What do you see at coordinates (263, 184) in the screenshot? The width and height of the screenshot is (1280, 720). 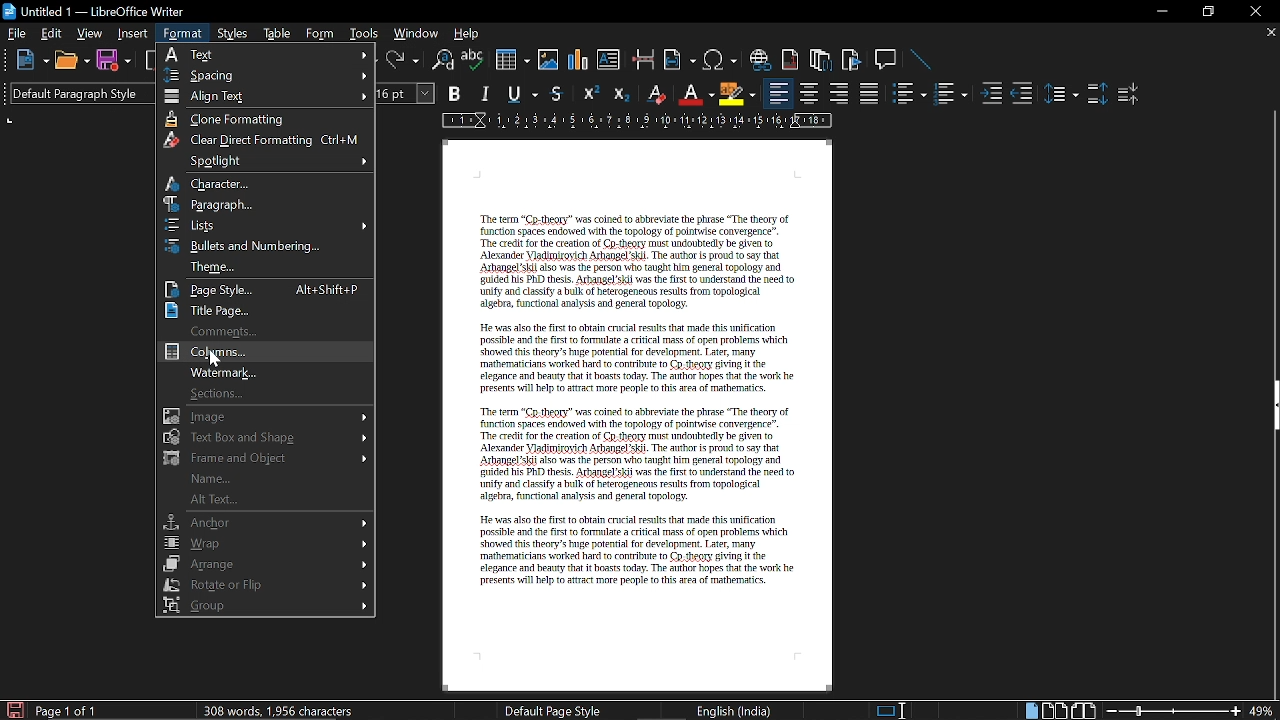 I see `Character` at bounding box center [263, 184].